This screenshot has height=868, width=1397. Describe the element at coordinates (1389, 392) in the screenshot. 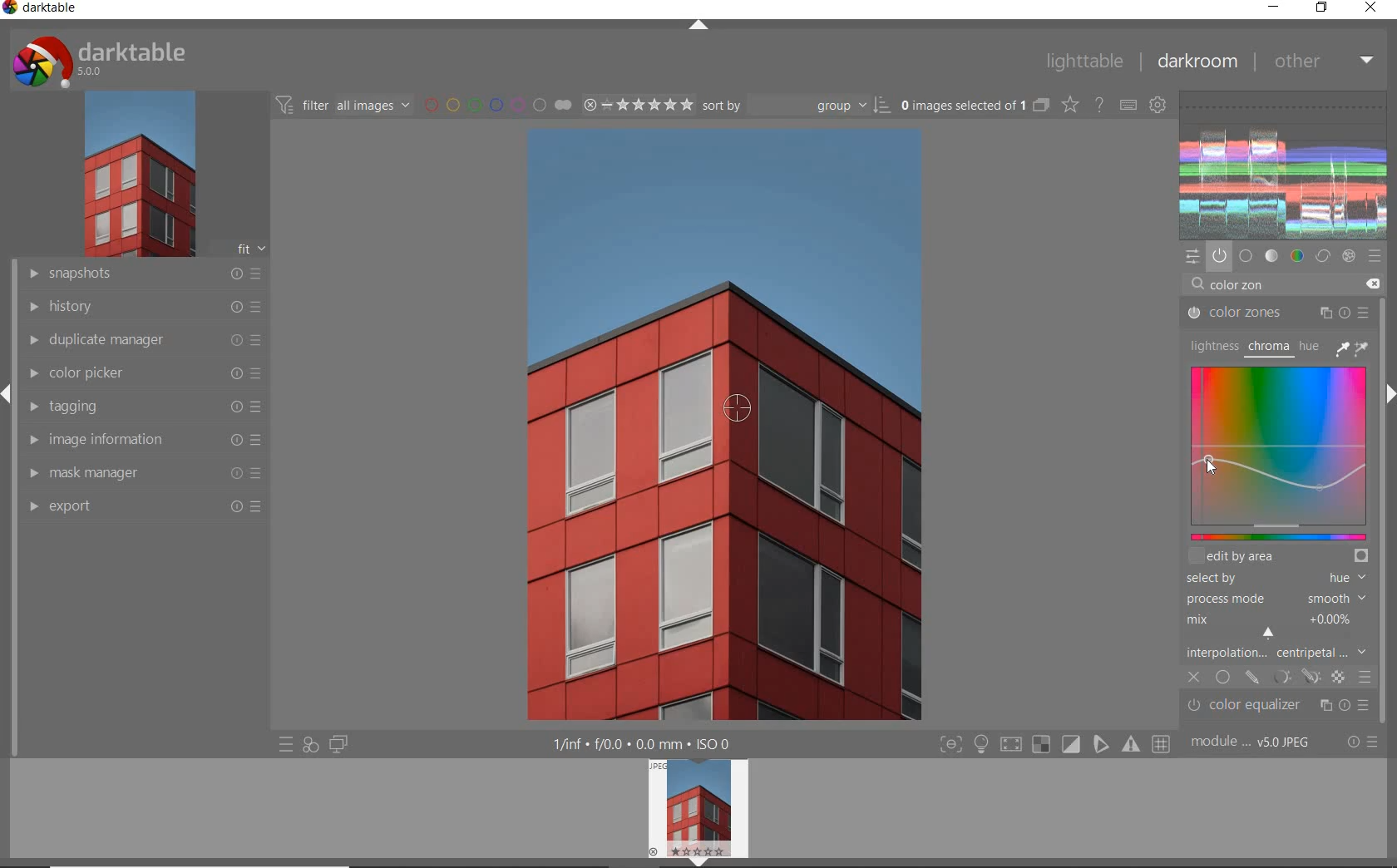

I see `expand/collapse` at that location.